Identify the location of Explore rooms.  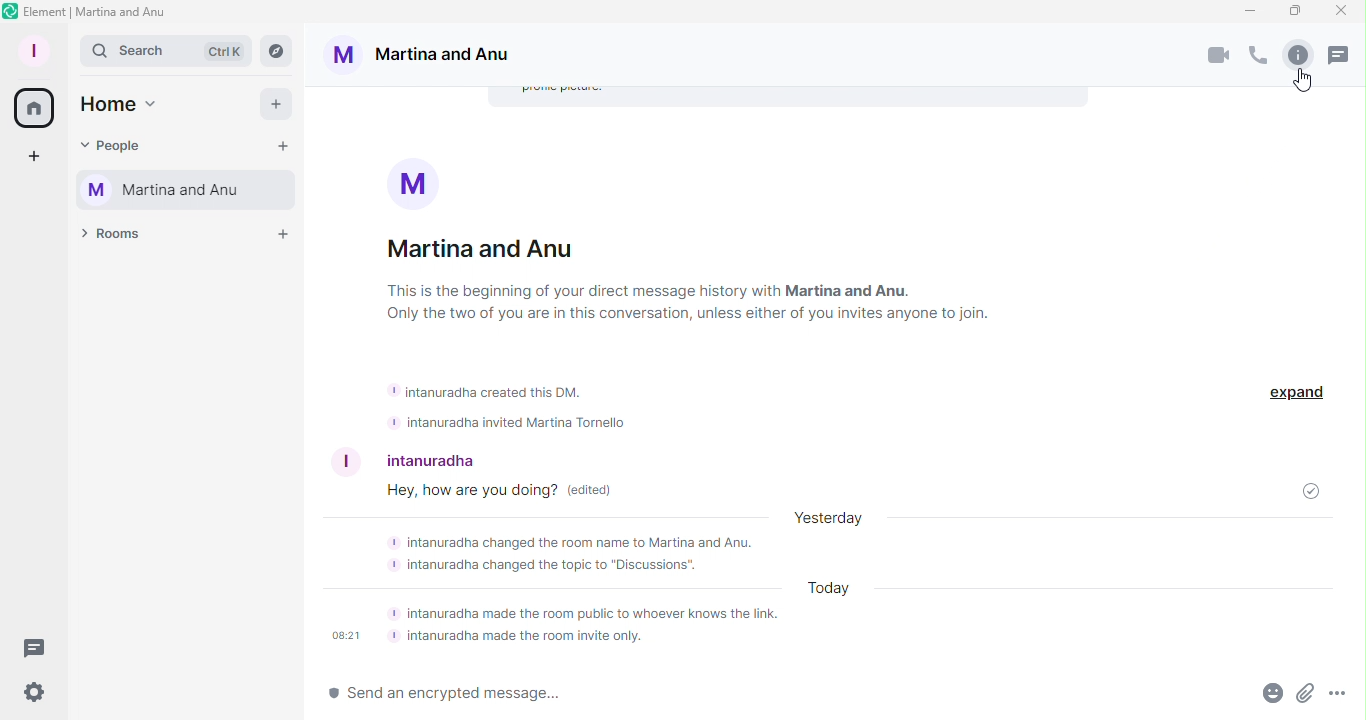
(277, 50).